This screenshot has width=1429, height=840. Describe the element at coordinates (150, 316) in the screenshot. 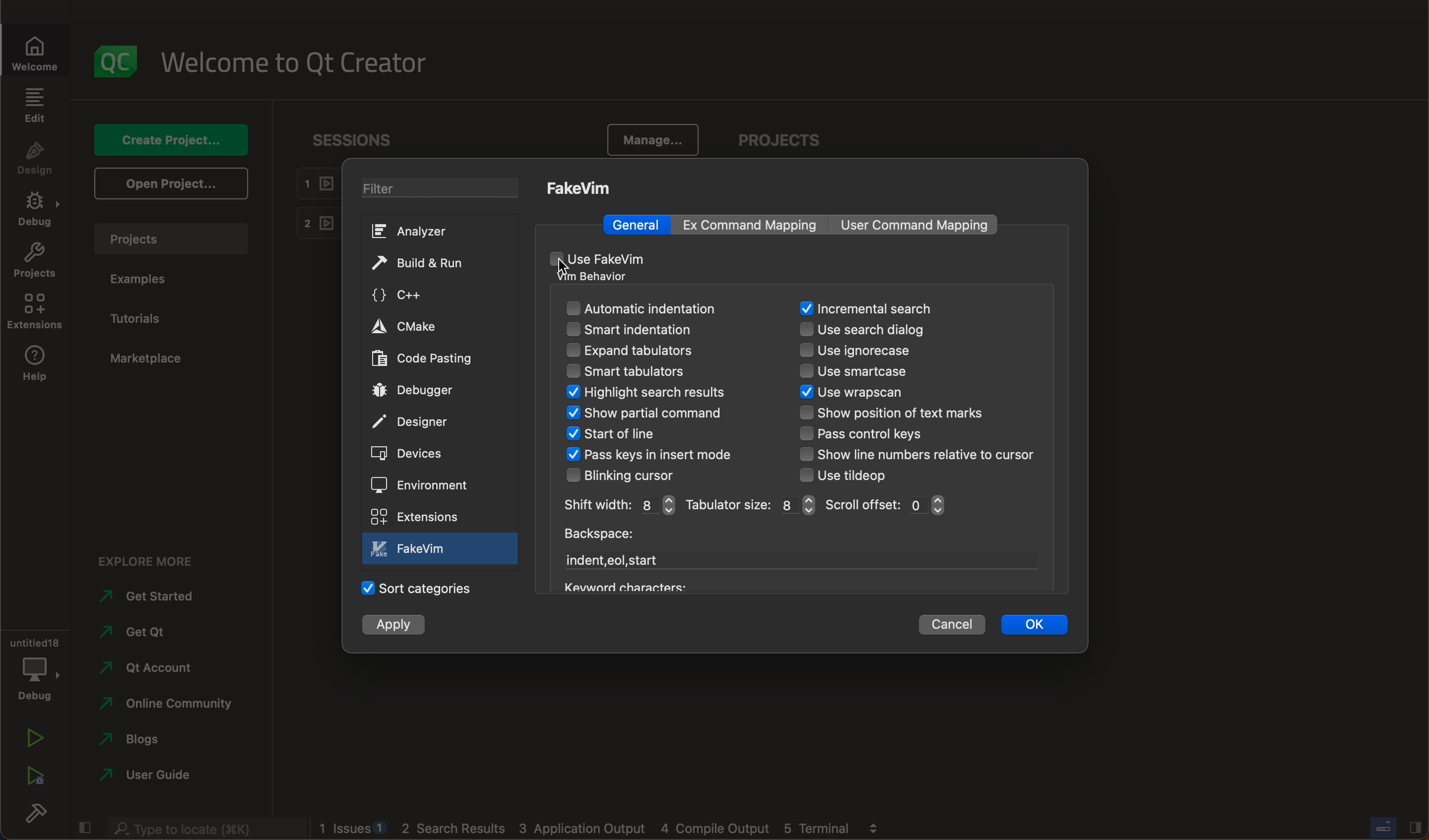

I see `tutorials` at that location.